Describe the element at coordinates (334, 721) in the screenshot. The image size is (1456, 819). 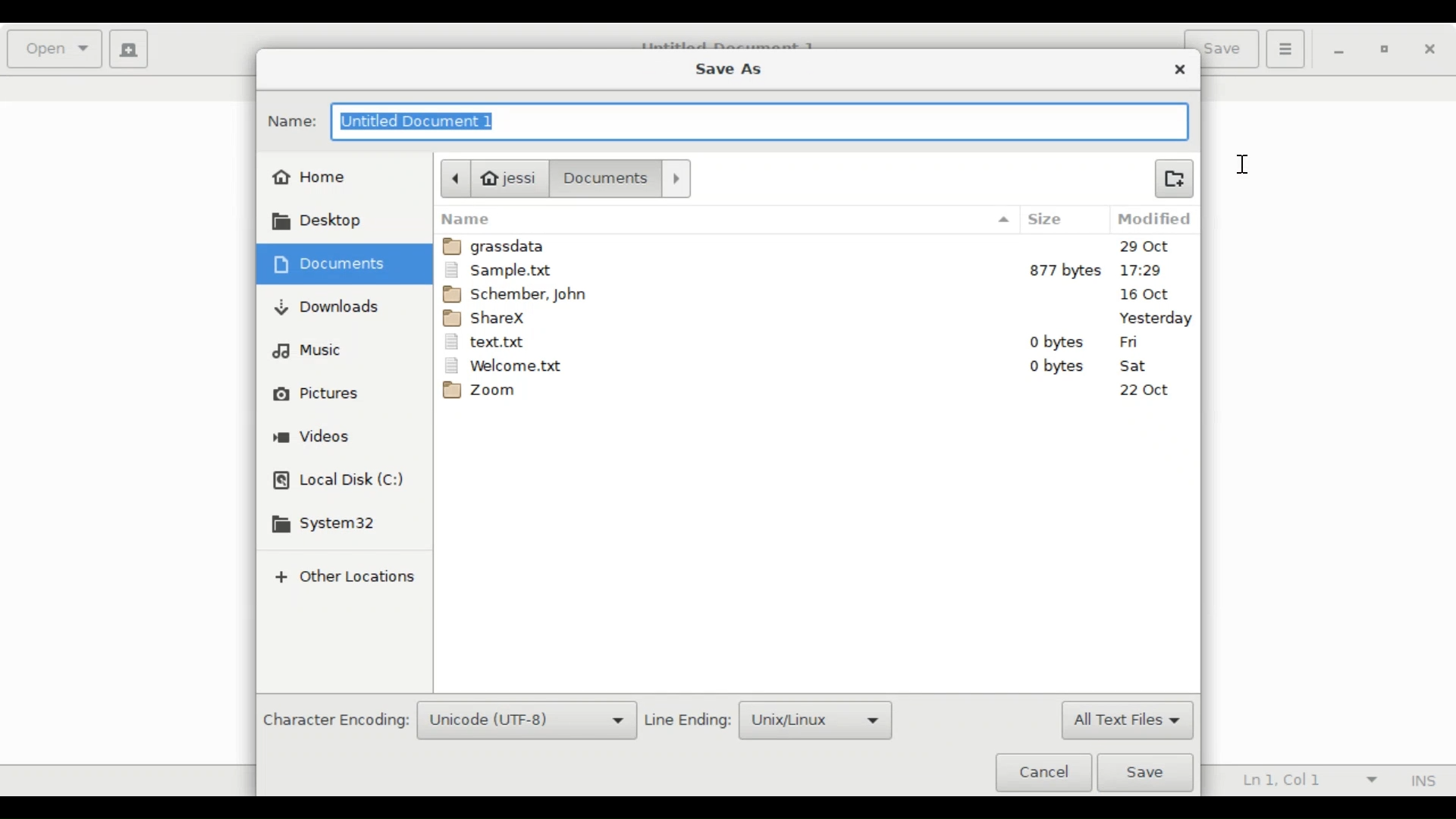
I see `Character Encoding` at that location.